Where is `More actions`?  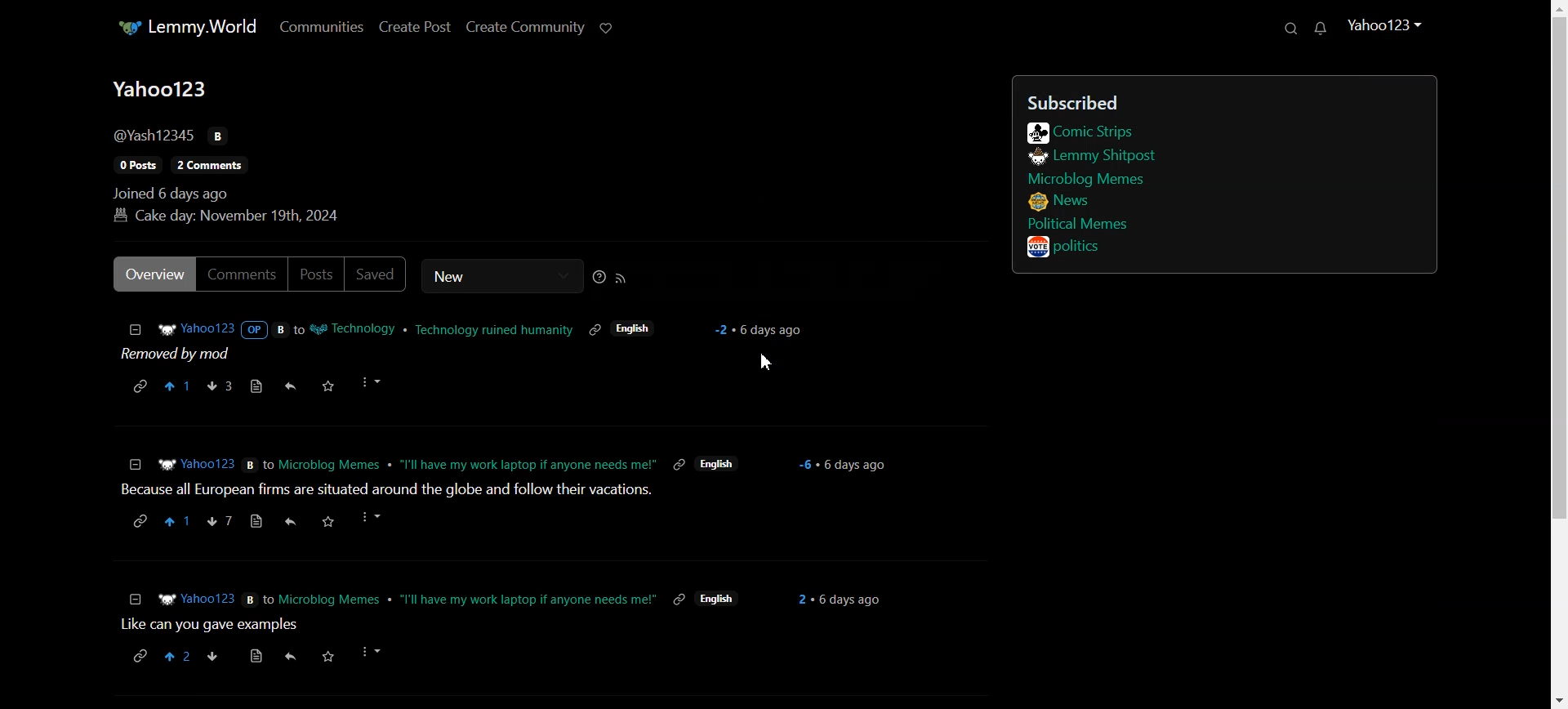 More actions is located at coordinates (371, 383).